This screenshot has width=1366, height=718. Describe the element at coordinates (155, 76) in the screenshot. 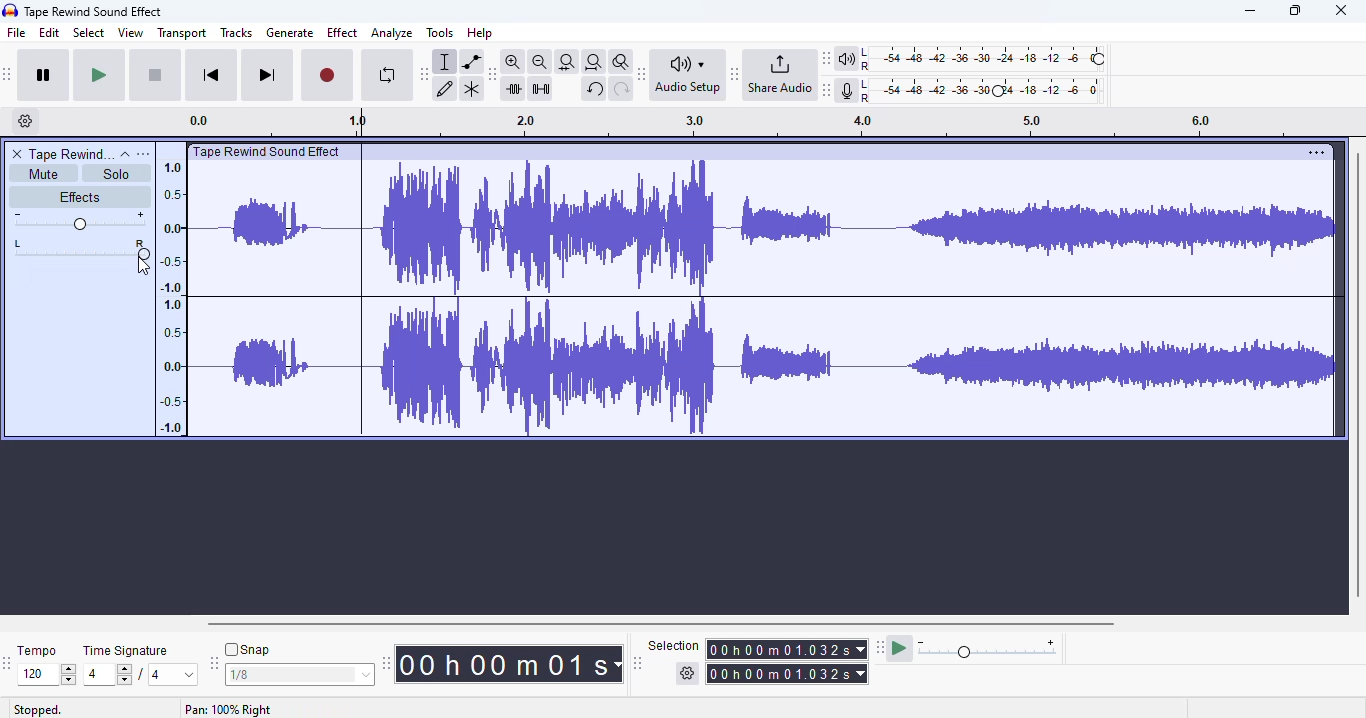

I see `stop` at that location.